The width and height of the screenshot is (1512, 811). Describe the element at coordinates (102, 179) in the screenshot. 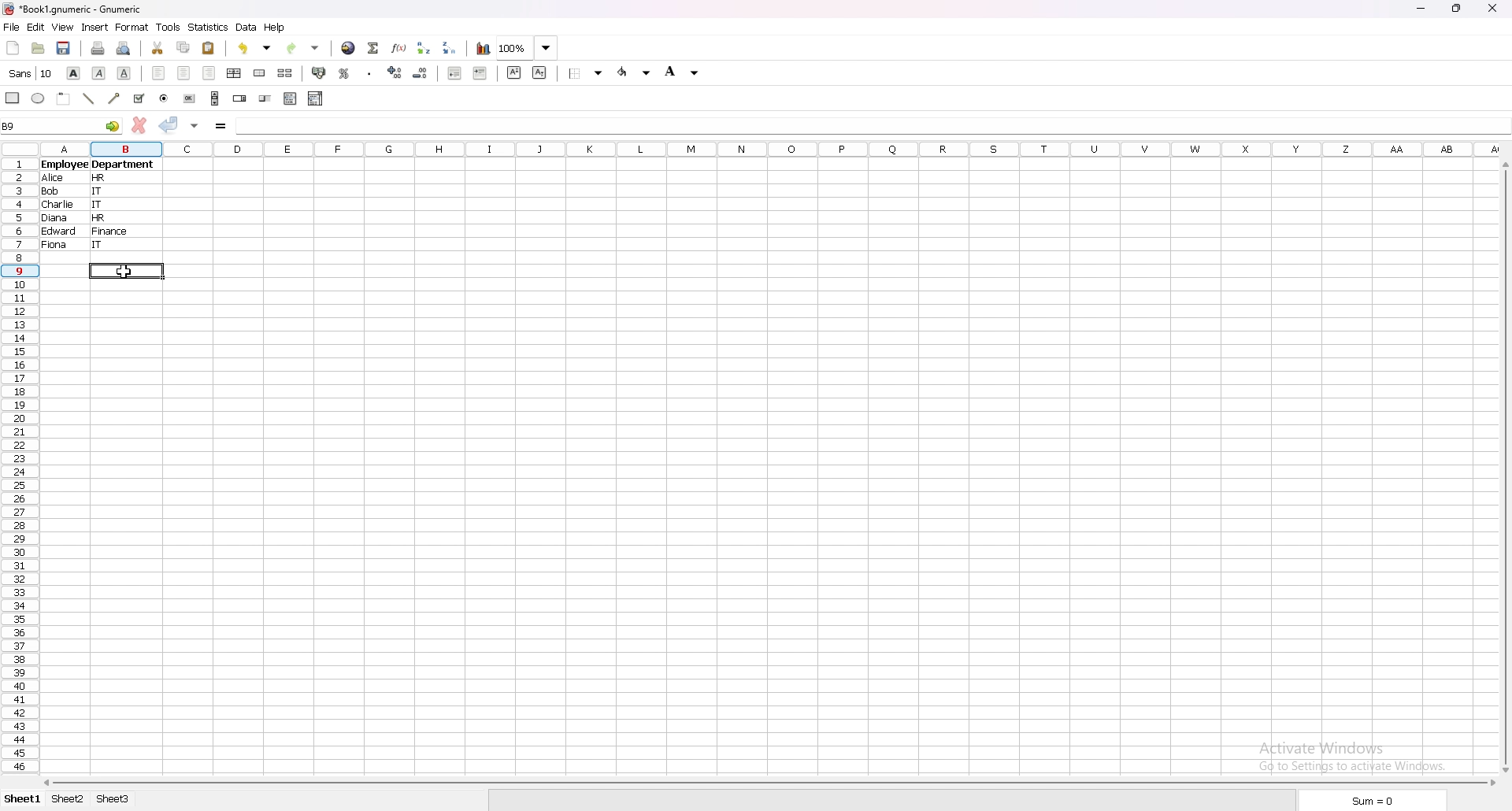

I see `hr` at that location.